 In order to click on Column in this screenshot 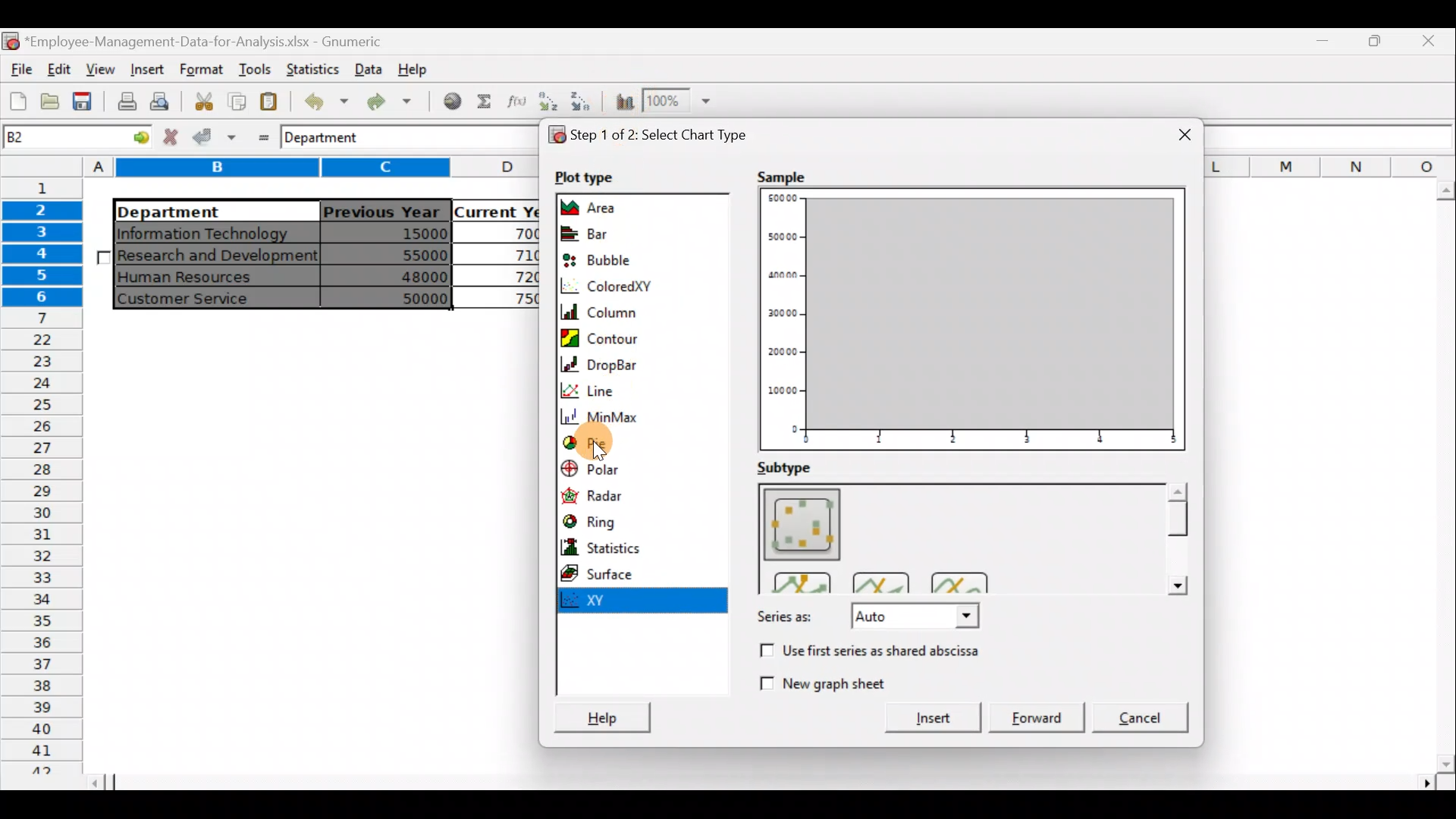, I will do `click(628, 310)`.